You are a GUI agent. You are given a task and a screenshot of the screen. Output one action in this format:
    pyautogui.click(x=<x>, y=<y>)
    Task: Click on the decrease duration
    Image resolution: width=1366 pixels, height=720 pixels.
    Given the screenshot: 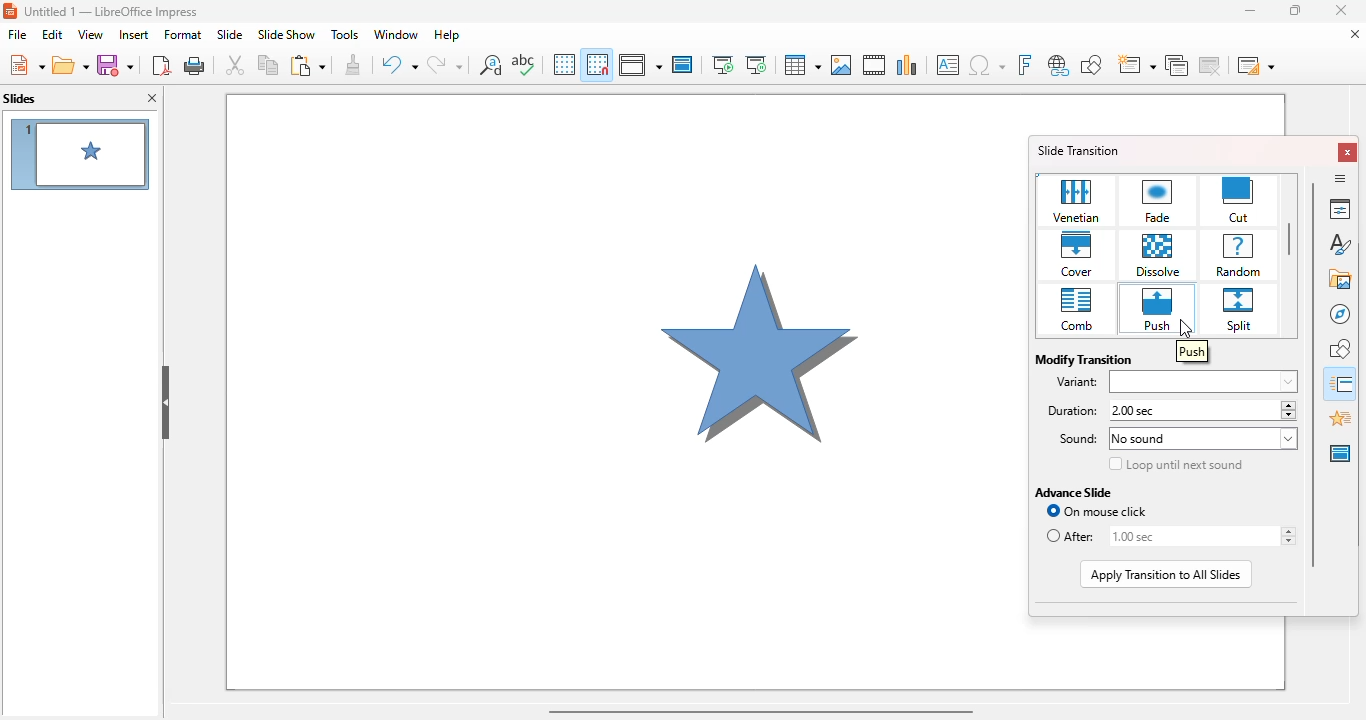 What is the action you would take?
    pyautogui.click(x=1287, y=416)
    